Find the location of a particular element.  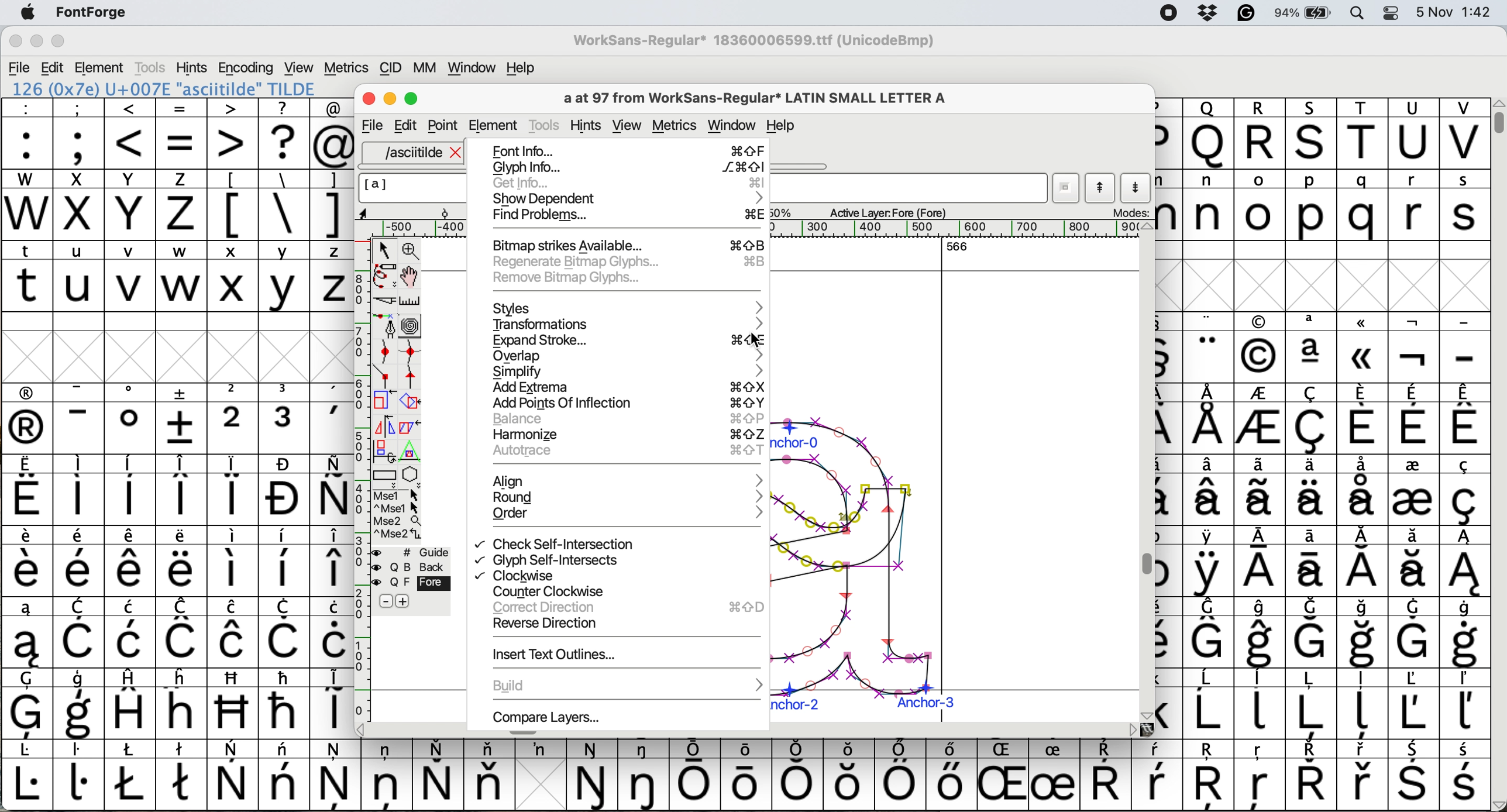

scroll by hand is located at coordinates (411, 277).